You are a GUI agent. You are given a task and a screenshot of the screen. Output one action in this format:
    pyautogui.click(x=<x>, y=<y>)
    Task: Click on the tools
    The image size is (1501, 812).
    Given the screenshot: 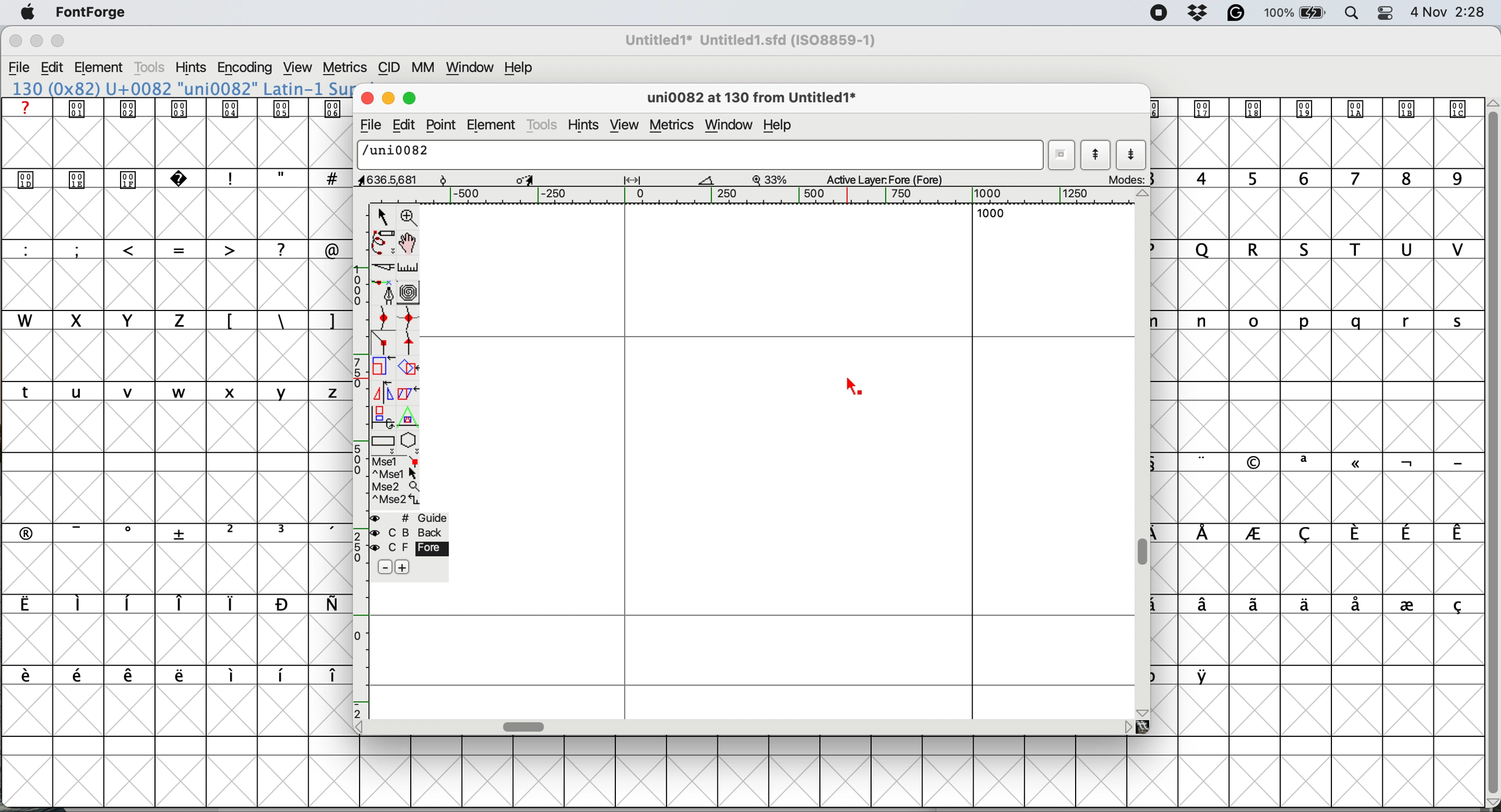 What is the action you would take?
    pyautogui.click(x=543, y=126)
    